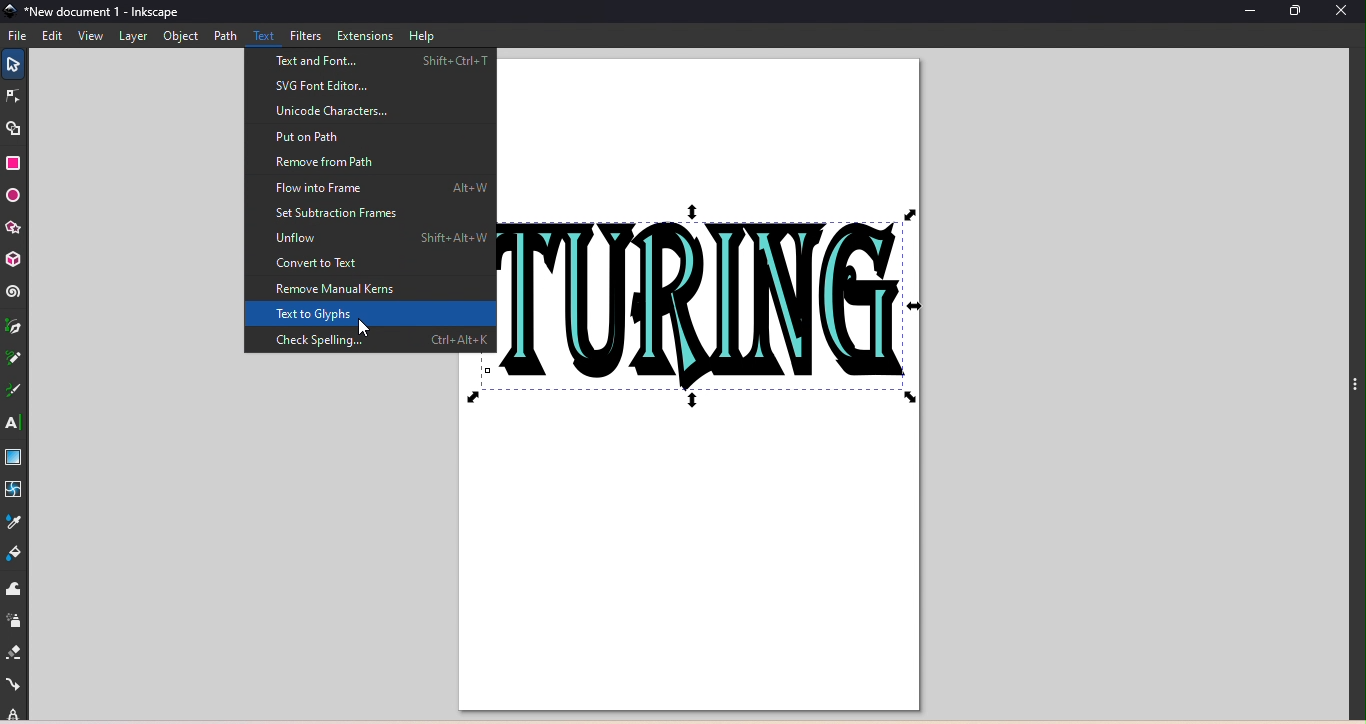  What do you see at coordinates (14, 621) in the screenshot?
I see `Spray tool` at bounding box center [14, 621].